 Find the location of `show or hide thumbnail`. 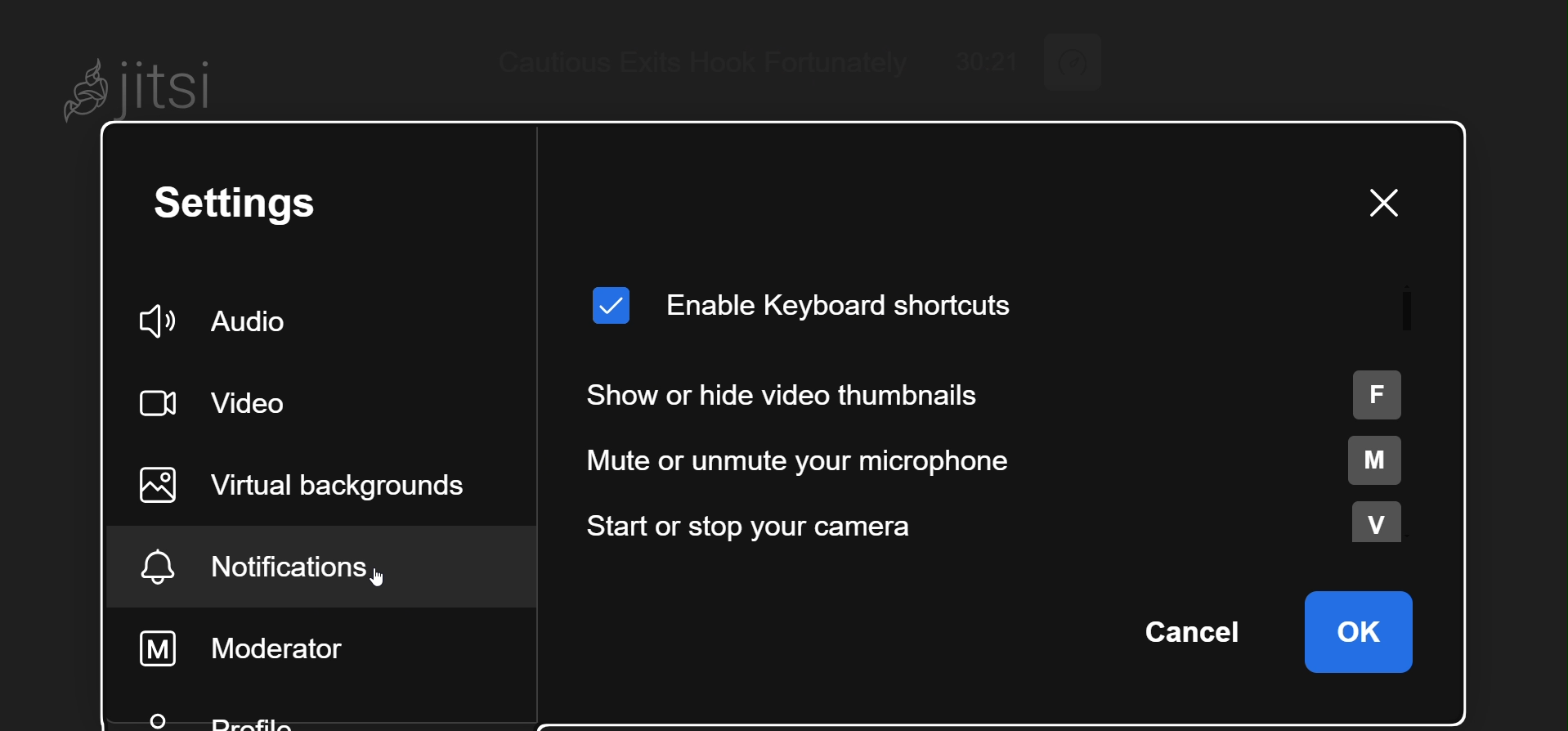

show or hide thumbnail is located at coordinates (998, 395).